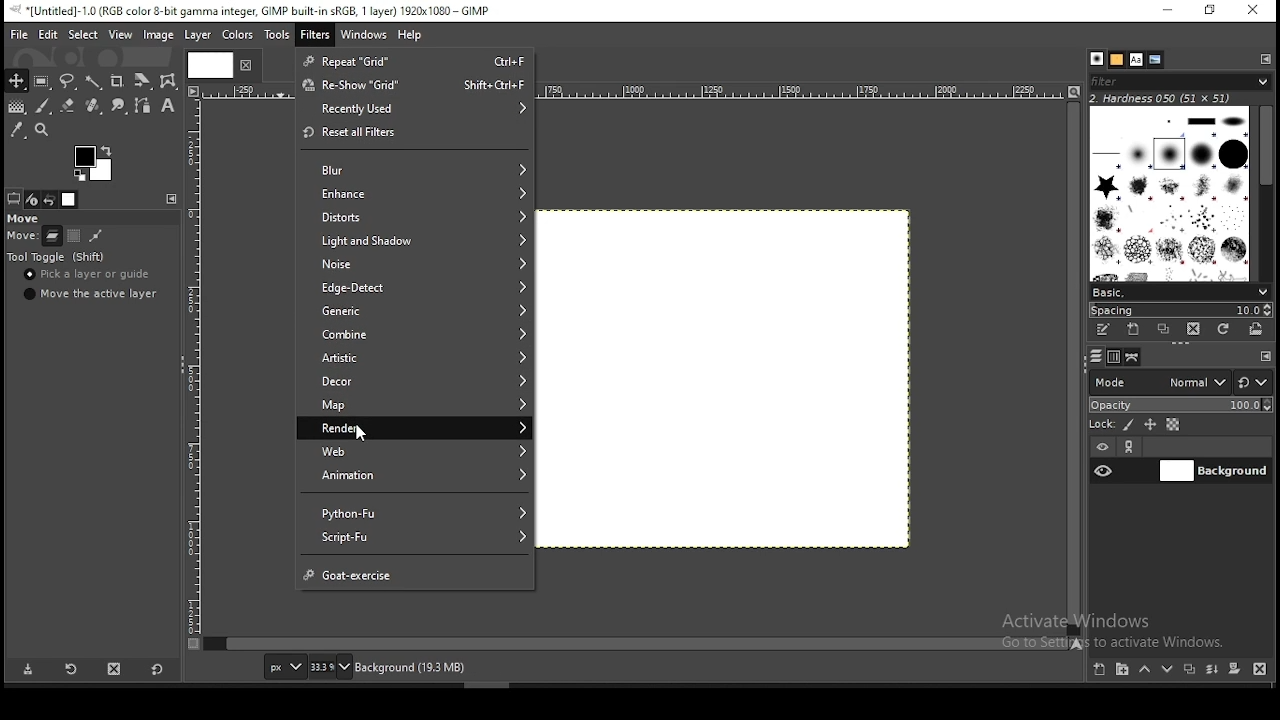 The width and height of the screenshot is (1280, 720). I want to click on paths tool, so click(148, 104).